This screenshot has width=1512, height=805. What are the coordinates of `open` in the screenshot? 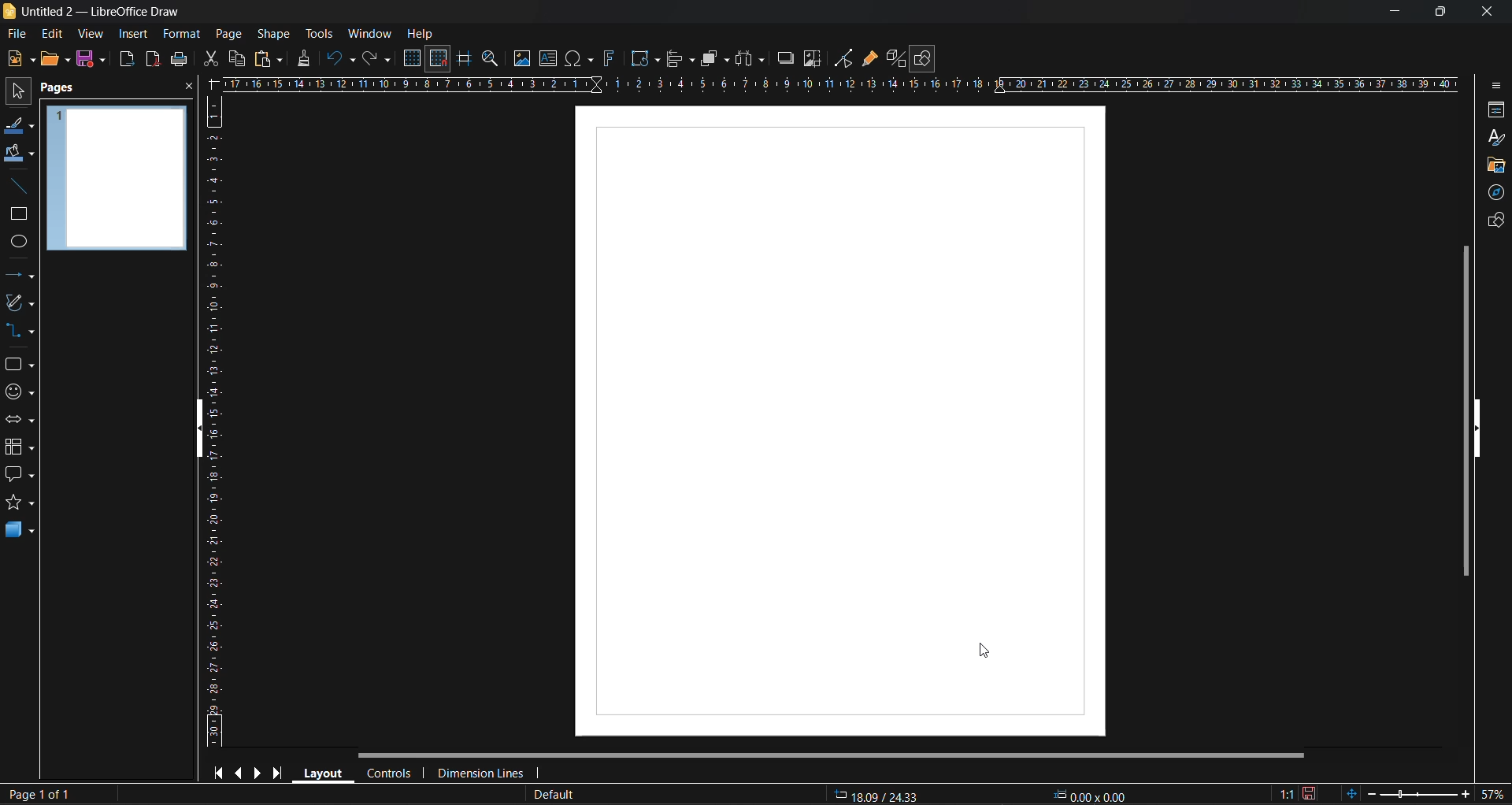 It's located at (54, 60).